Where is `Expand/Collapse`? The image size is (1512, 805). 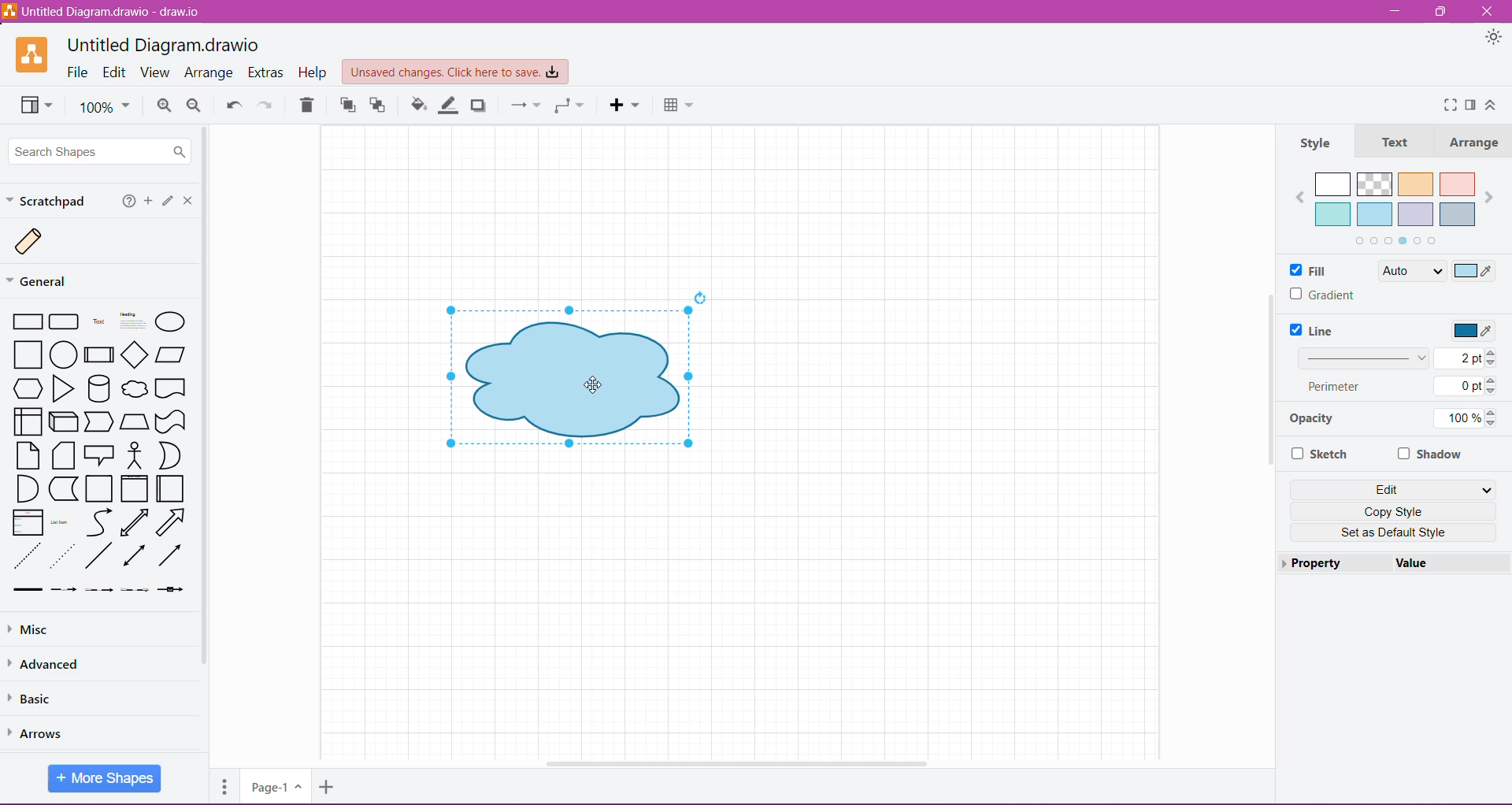
Expand/Collapse is located at coordinates (1492, 107).